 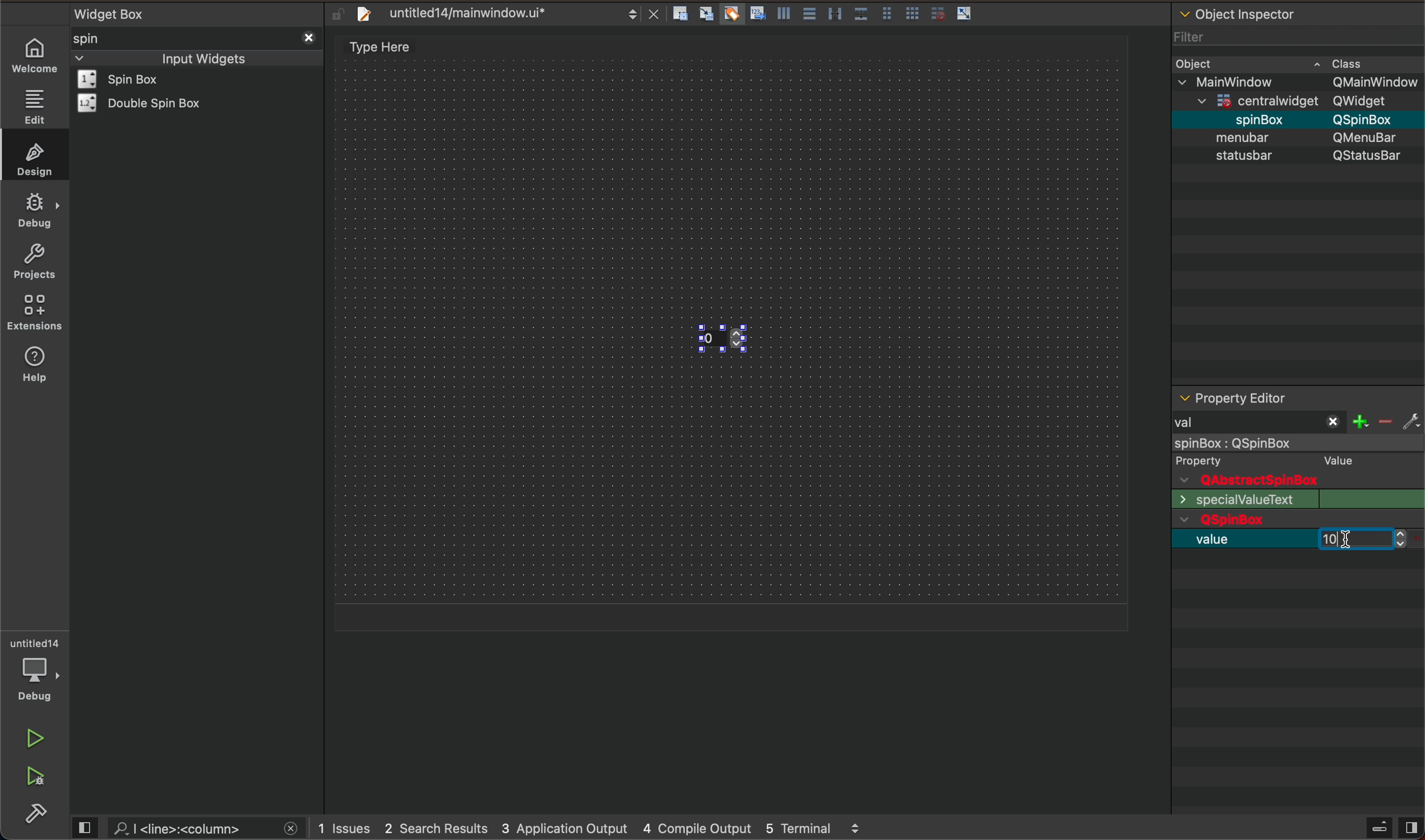 What do you see at coordinates (1296, 444) in the screenshot?
I see `object selected` at bounding box center [1296, 444].